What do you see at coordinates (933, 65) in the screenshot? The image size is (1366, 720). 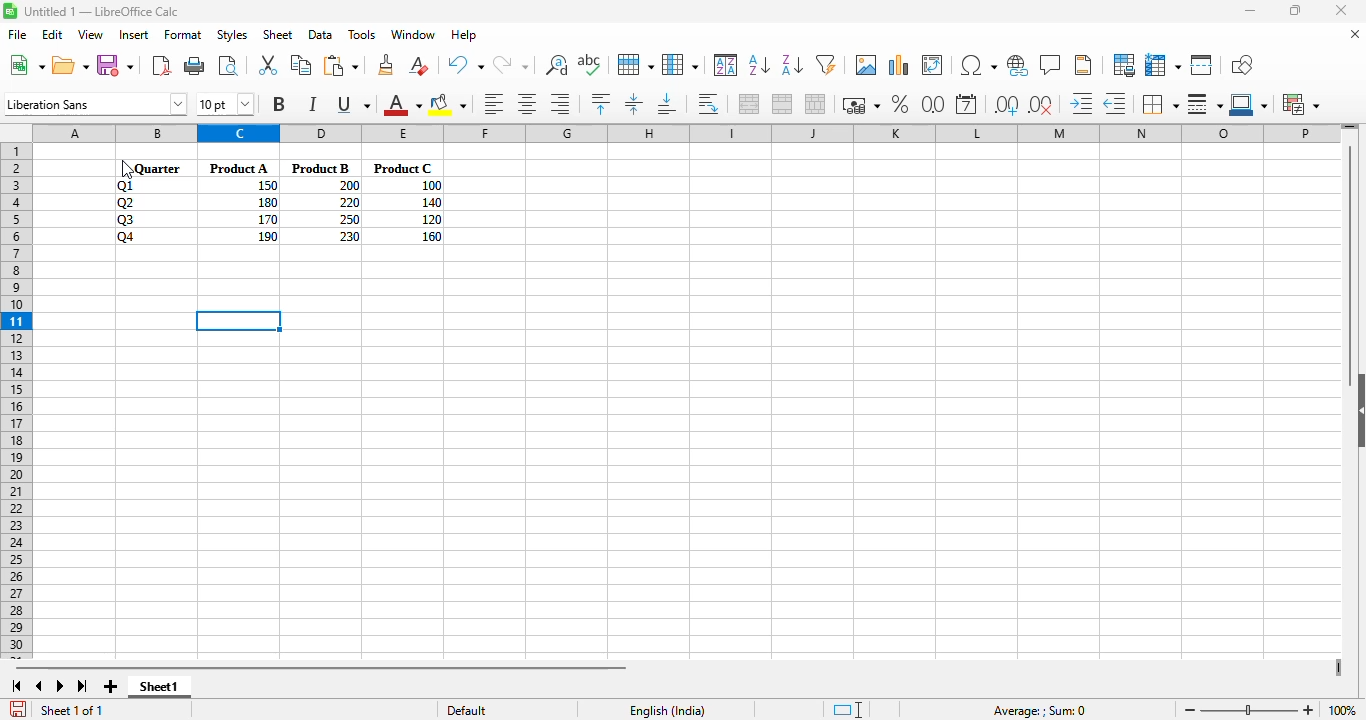 I see `insert or edit pivot table` at bounding box center [933, 65].